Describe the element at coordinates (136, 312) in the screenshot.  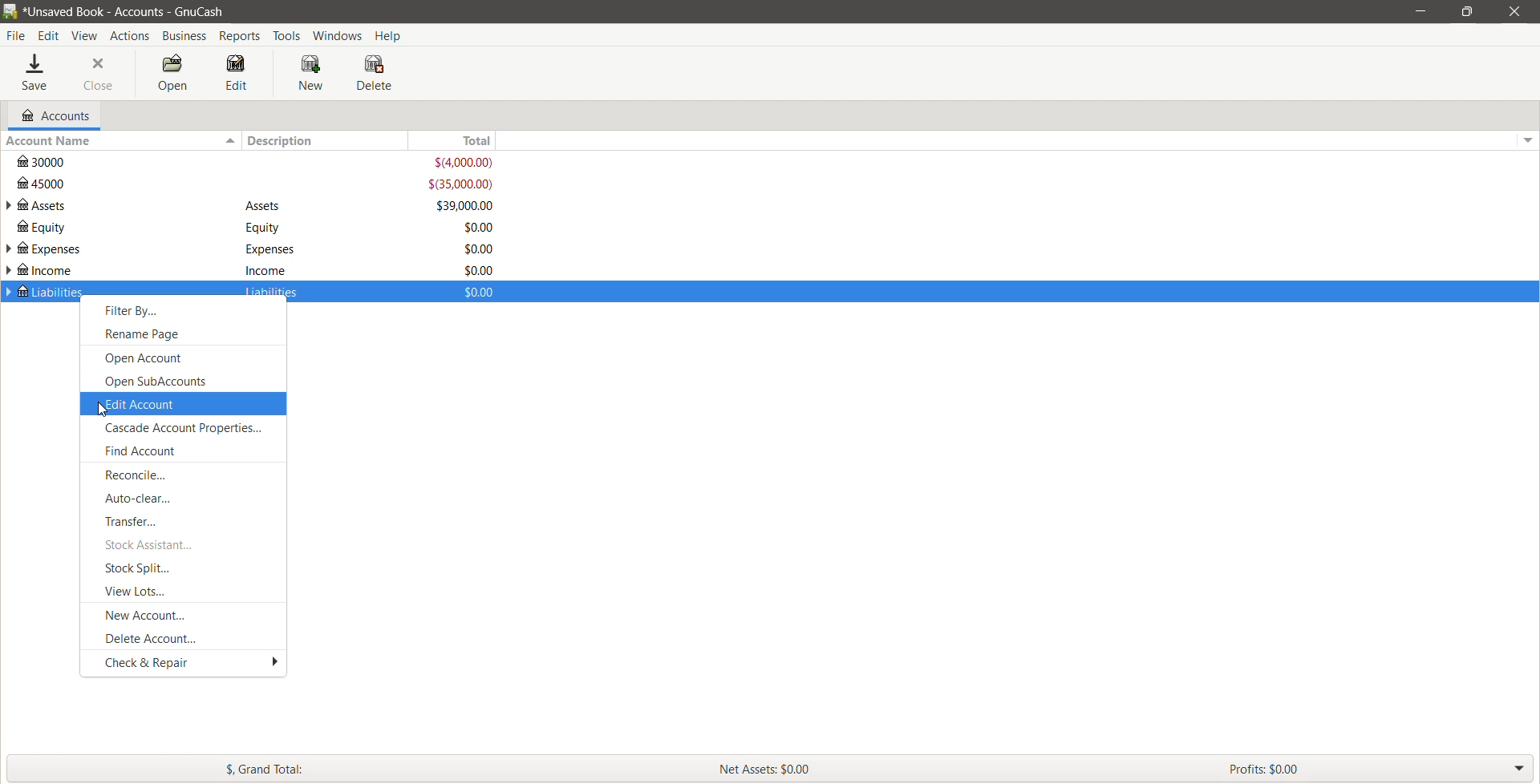
I see `Filter By` at that location.